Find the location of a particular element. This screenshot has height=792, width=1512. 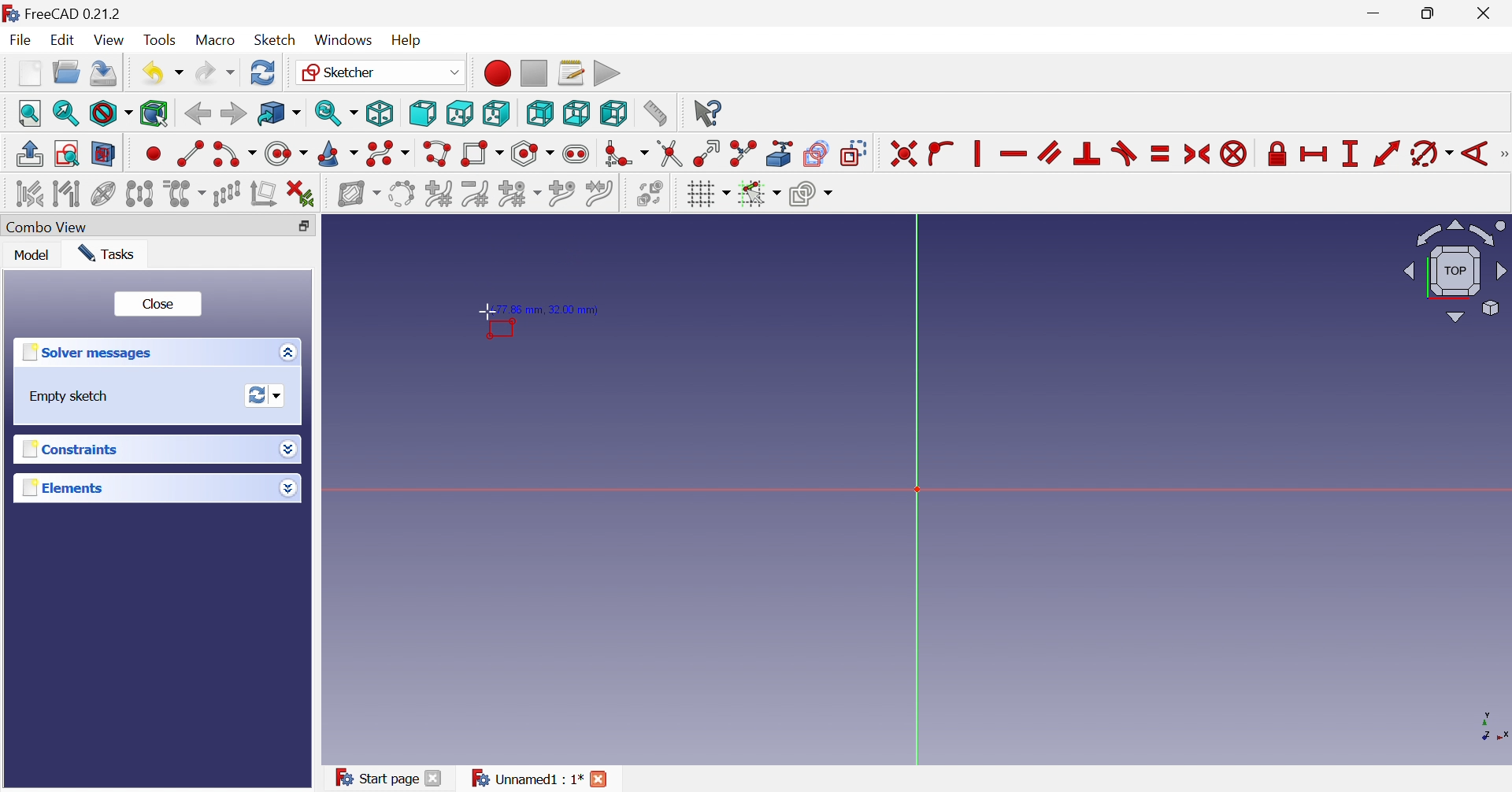

Create carbon copy is located at coordinates (816, 153).